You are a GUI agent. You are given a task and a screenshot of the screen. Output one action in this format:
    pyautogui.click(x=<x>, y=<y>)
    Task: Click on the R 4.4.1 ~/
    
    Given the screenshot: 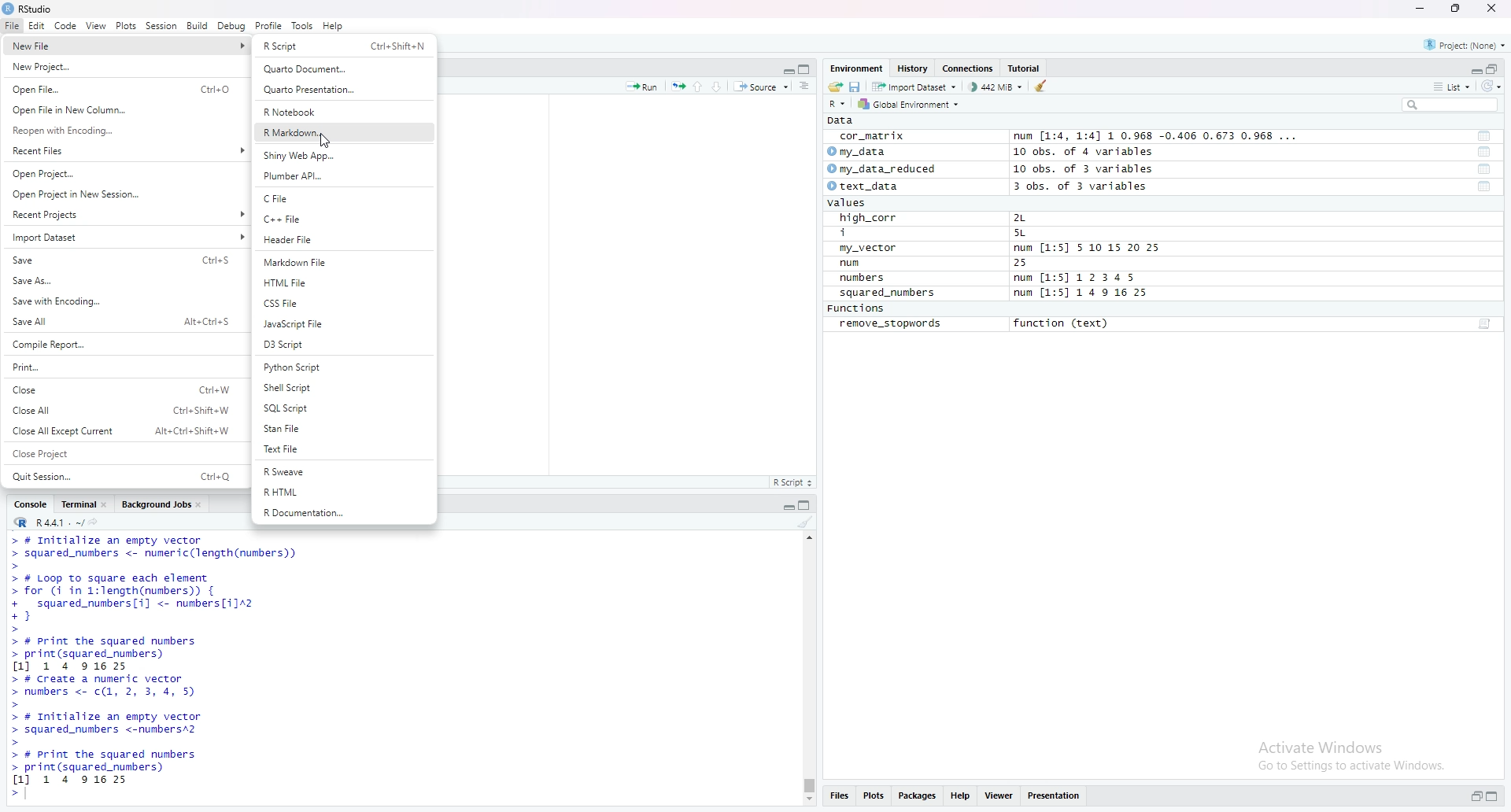 What is the action you would take?
    pyautogui.click(x=43, y=524)
    